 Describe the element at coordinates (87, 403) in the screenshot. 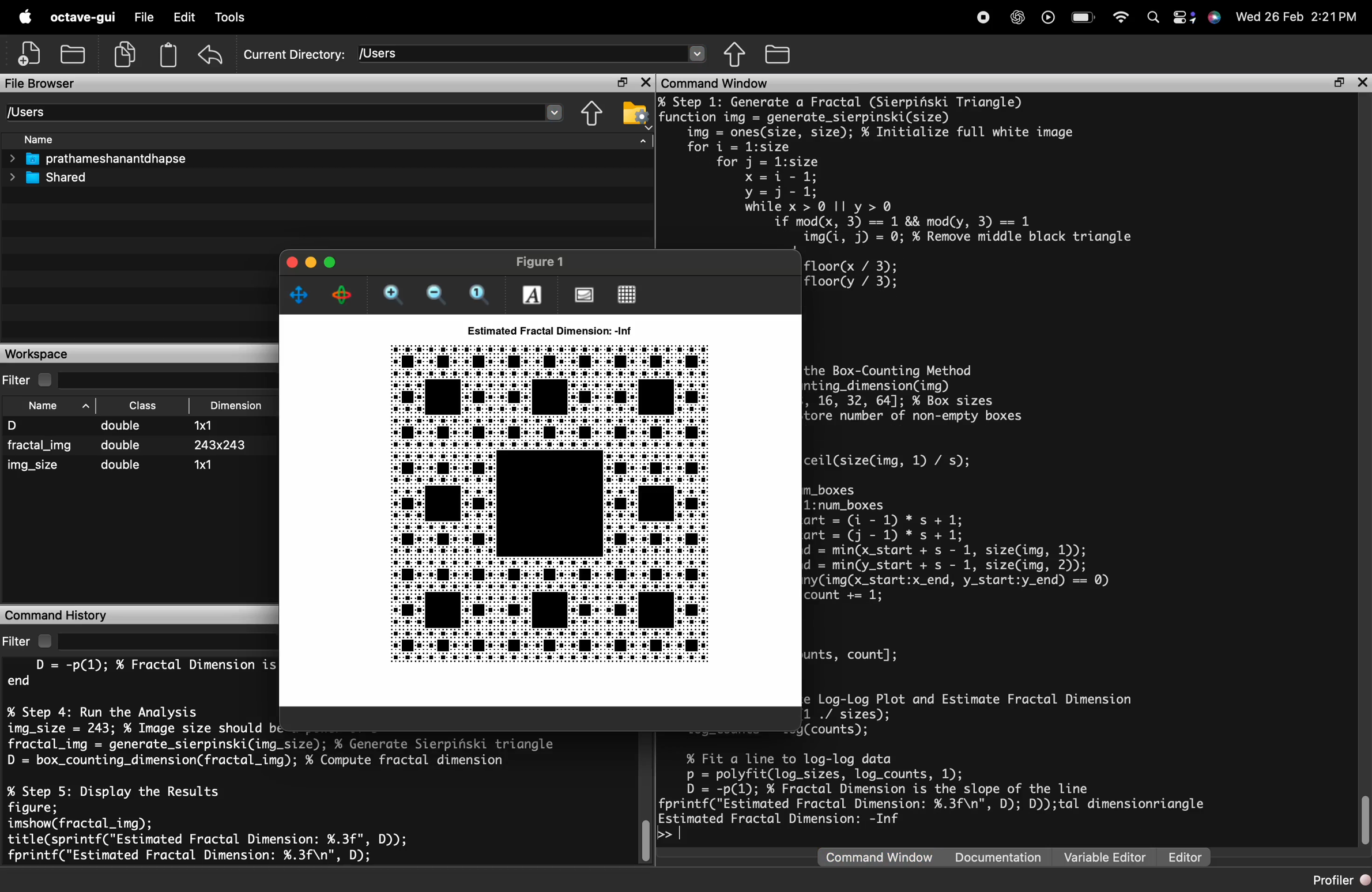

I see `sort` at that location.